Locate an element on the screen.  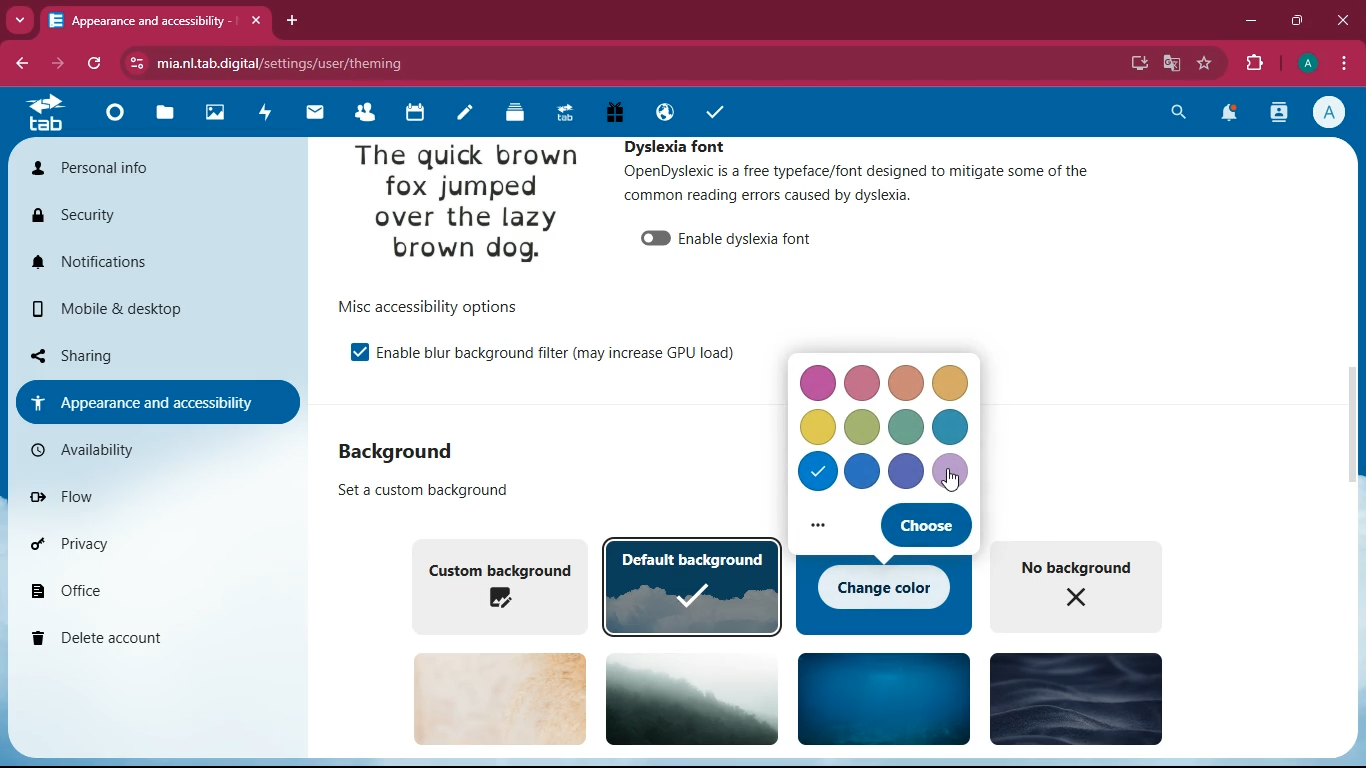
set a custom background is located at coordinates (432, 491).